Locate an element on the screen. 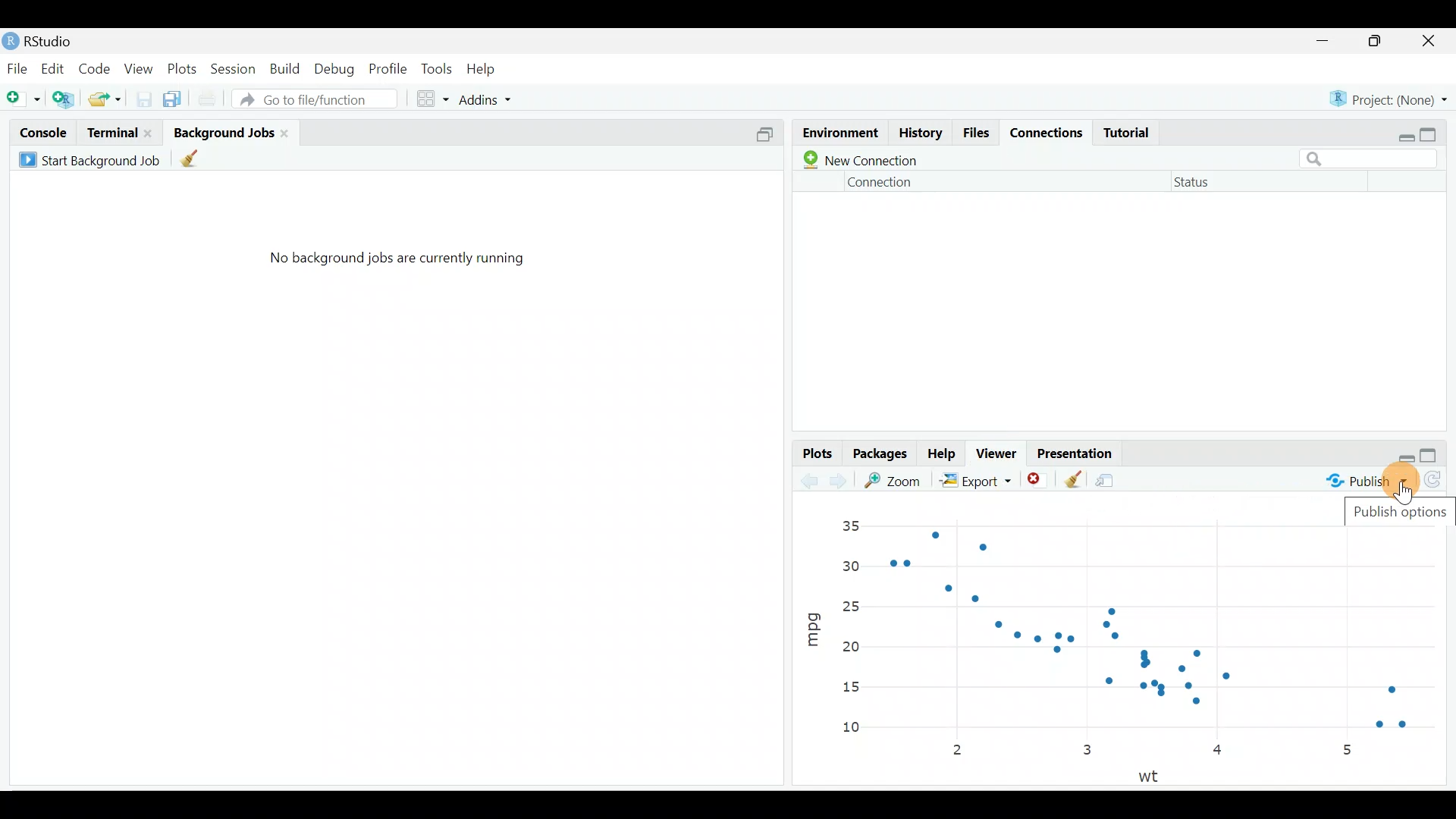  Go back is located at coordinates (810, 479).